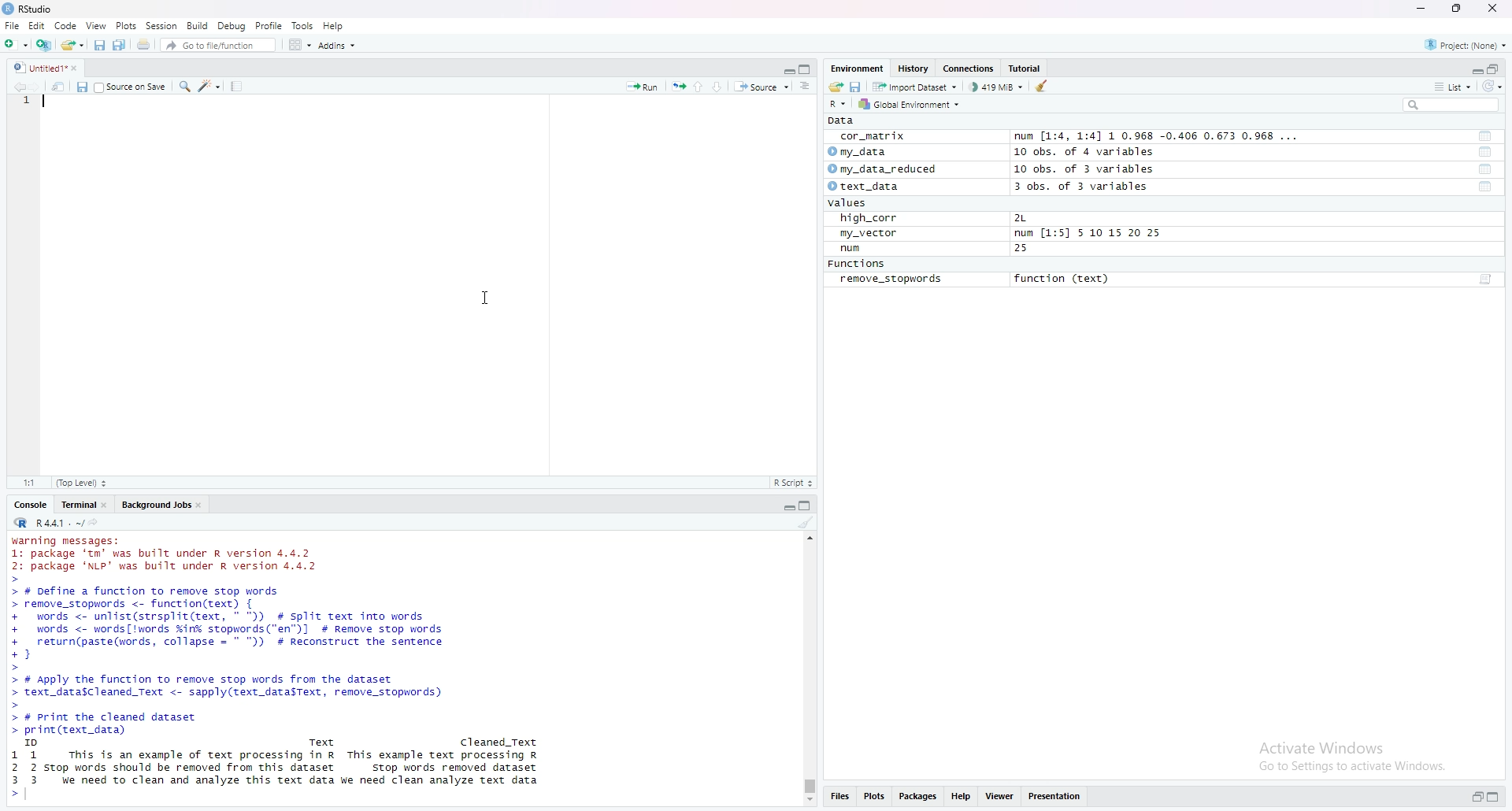  What do you see at coordinates (856, 69) in the screenshot?
I see `Environment` at bounding box center [856, 69].